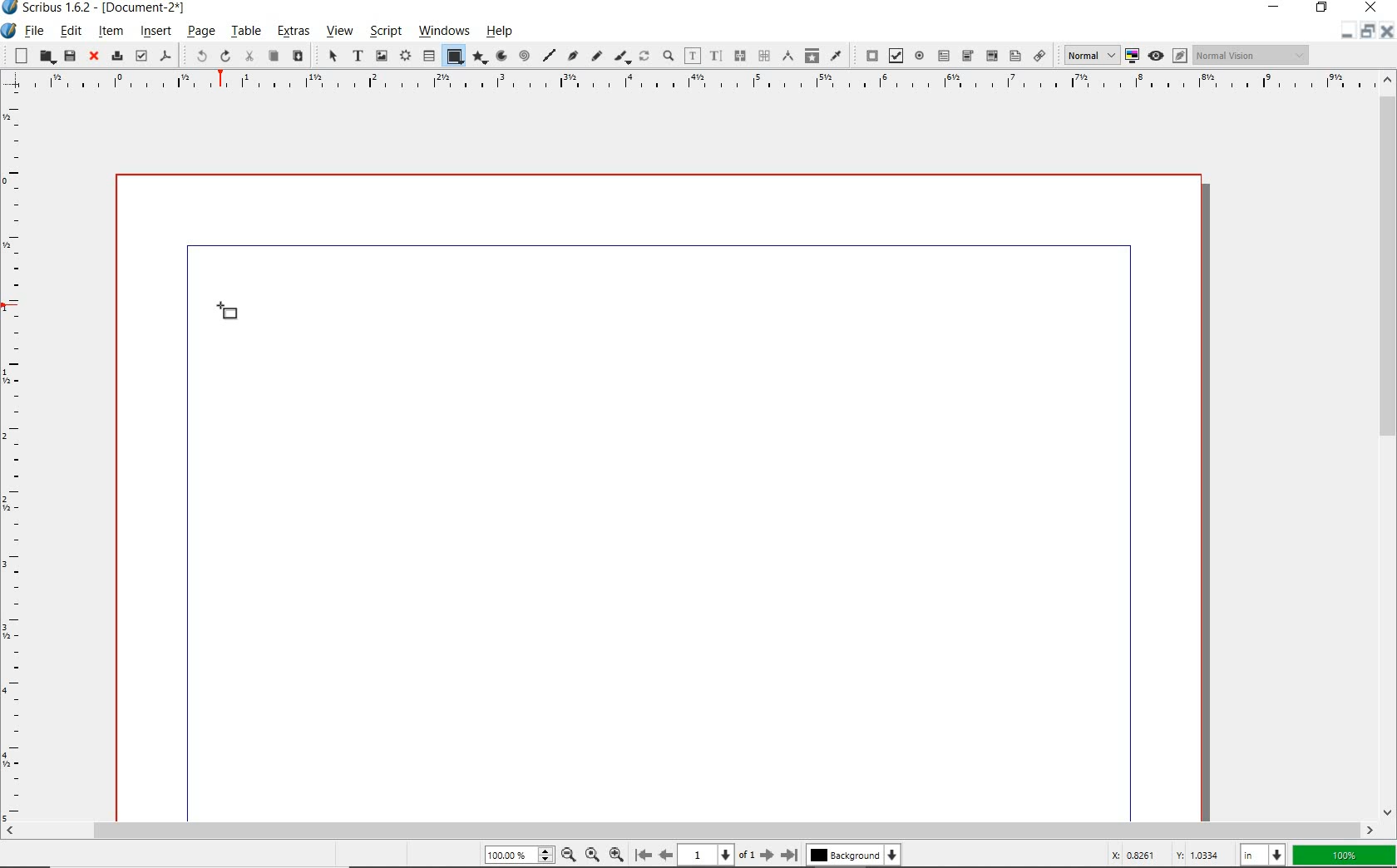  What do you see at coordinates (690, 829) in the screenshot?
I see `scrollbar` at bounding box center [690, 829].